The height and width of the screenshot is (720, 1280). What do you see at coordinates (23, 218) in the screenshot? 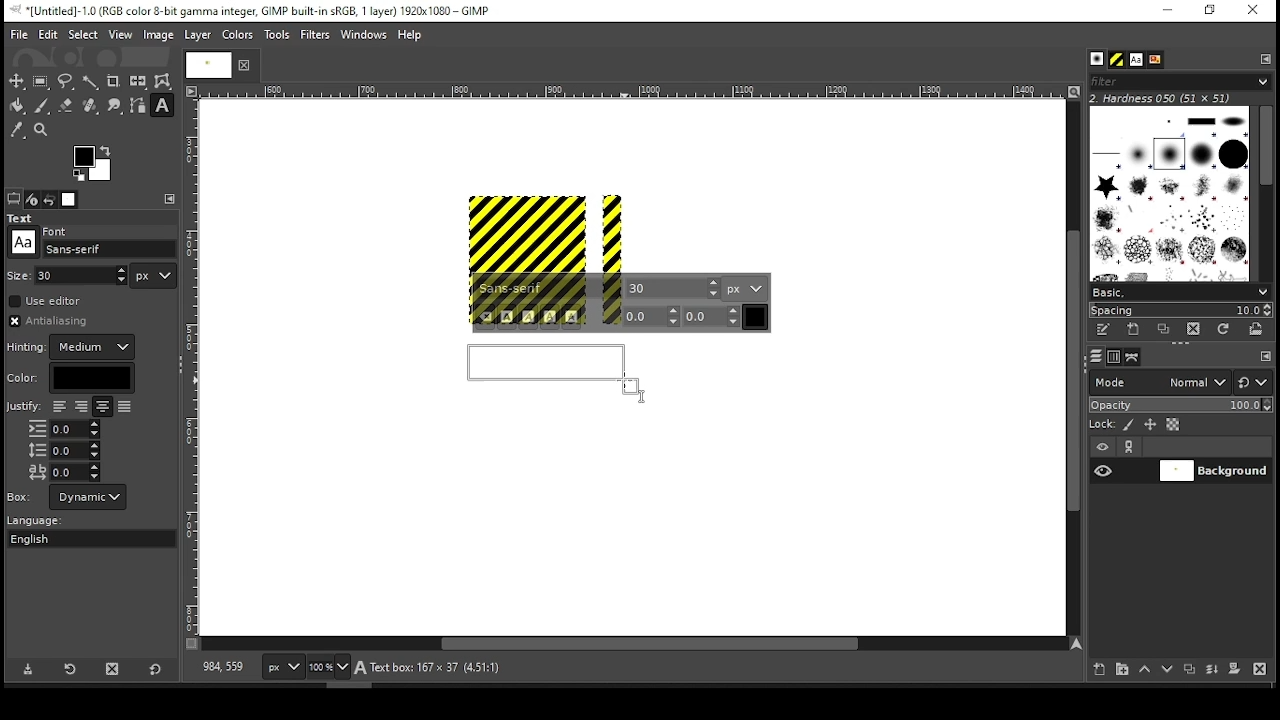
I see `text` at bounding box center [23, 218].